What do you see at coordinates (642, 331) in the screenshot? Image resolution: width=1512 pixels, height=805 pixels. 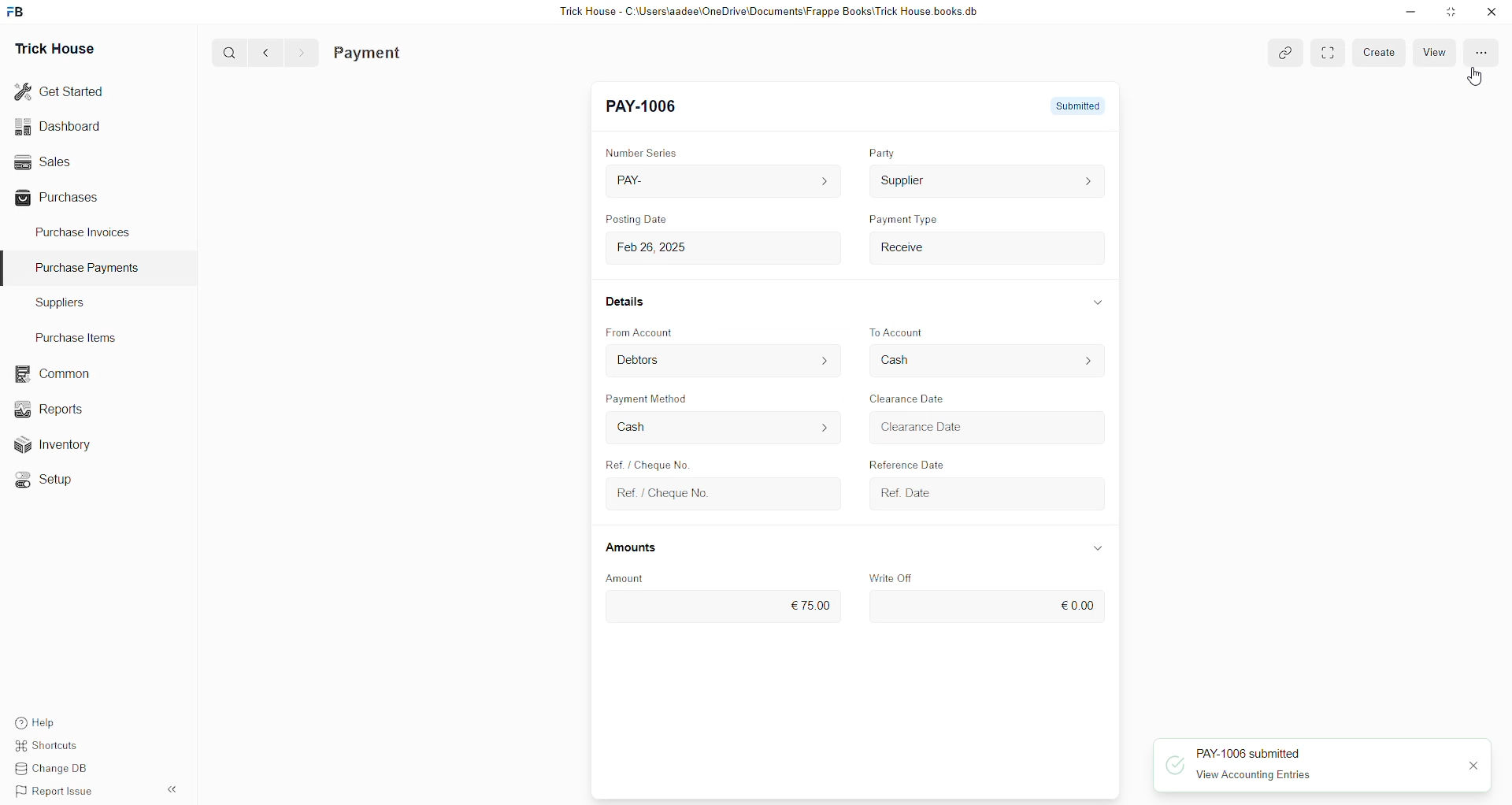 I see `From Account` at bounding box center [642, 331].